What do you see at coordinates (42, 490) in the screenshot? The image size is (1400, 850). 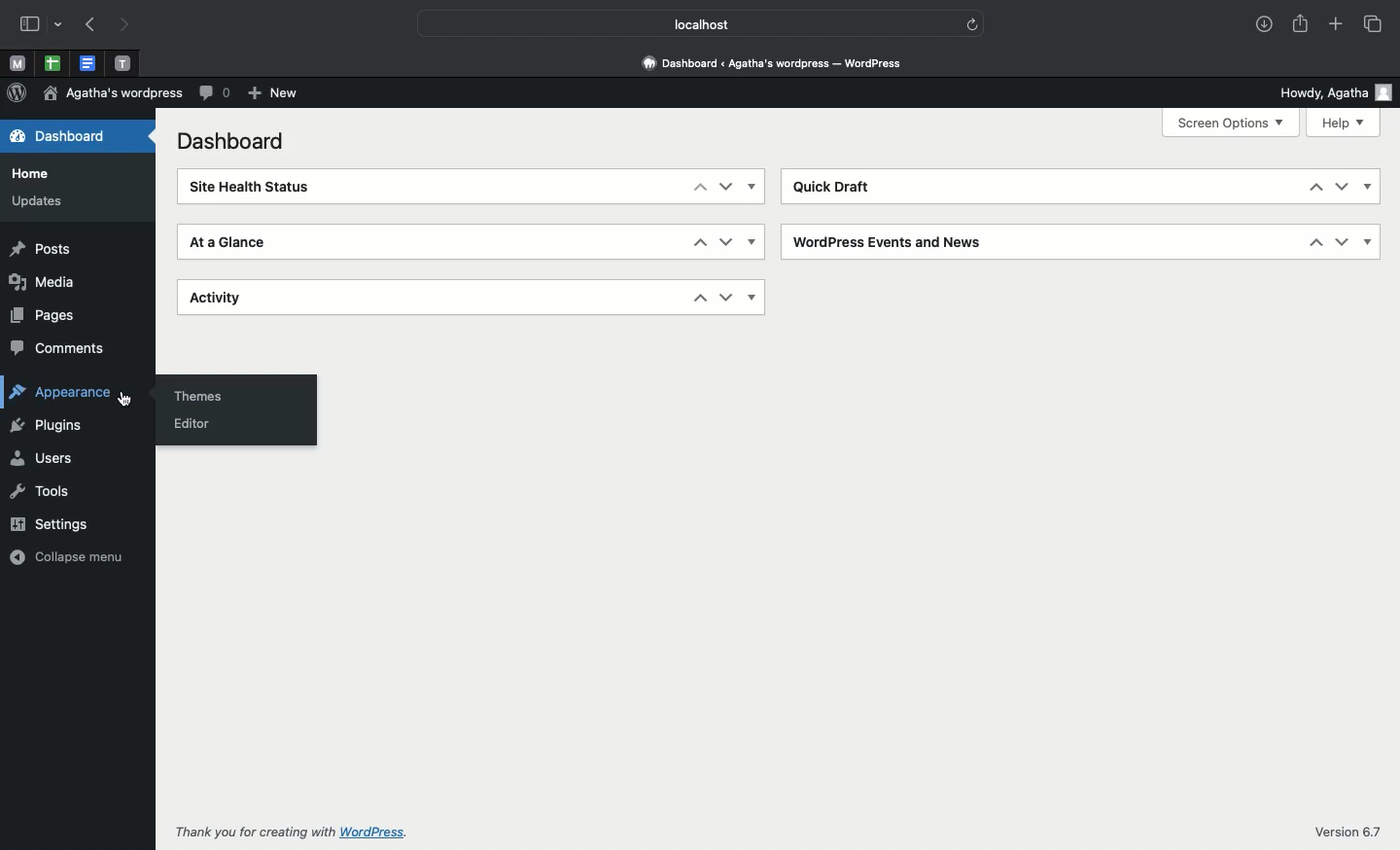 I see `Tools` at bounding box center [42, 490].